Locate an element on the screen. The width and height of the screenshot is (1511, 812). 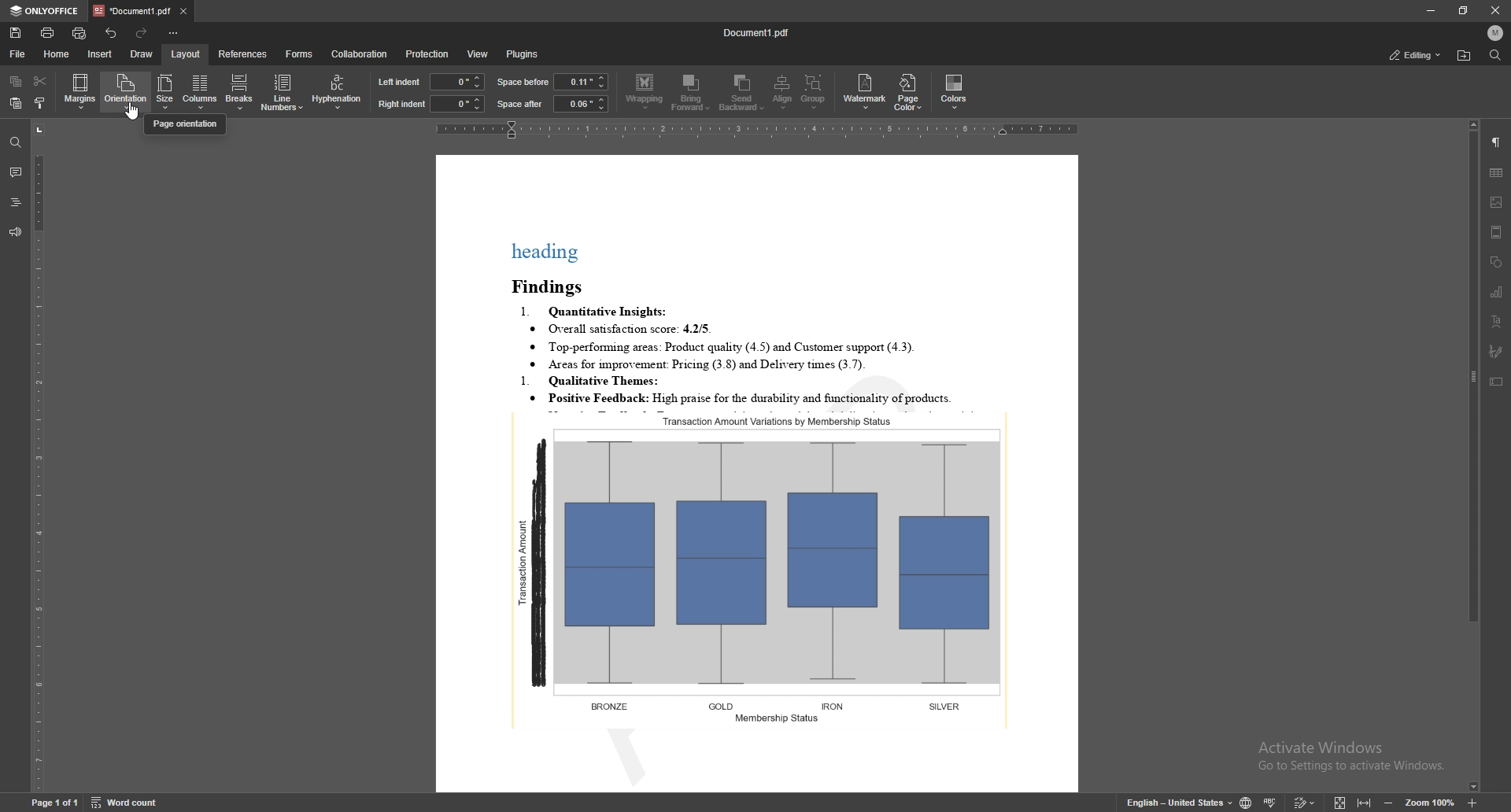
collaboration is located at coordinates (363, 53).